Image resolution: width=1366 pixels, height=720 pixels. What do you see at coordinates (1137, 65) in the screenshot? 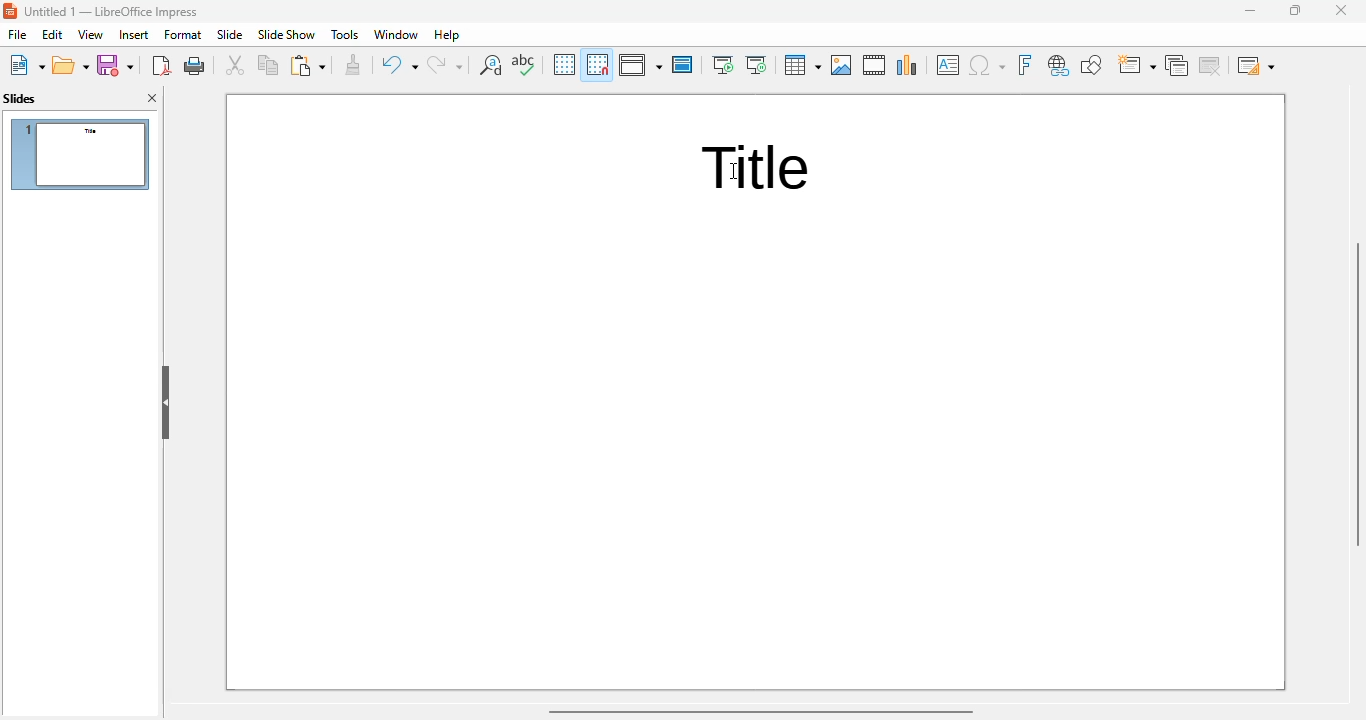
I see `new slide` at bounding box center [1137, 65].